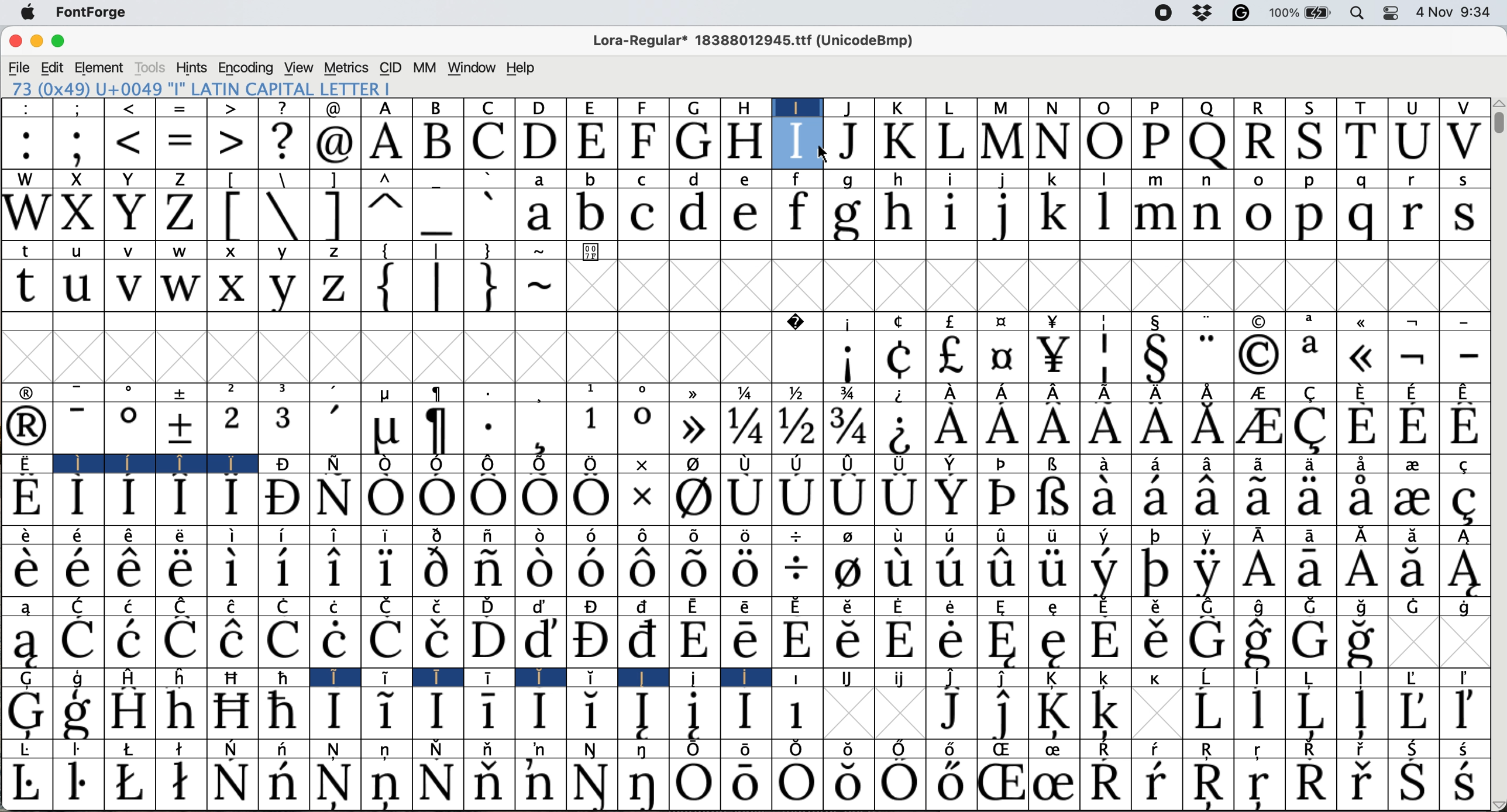 The height and width of the screenshot is (812, 1507). I want to click on [, so click(232, 215).